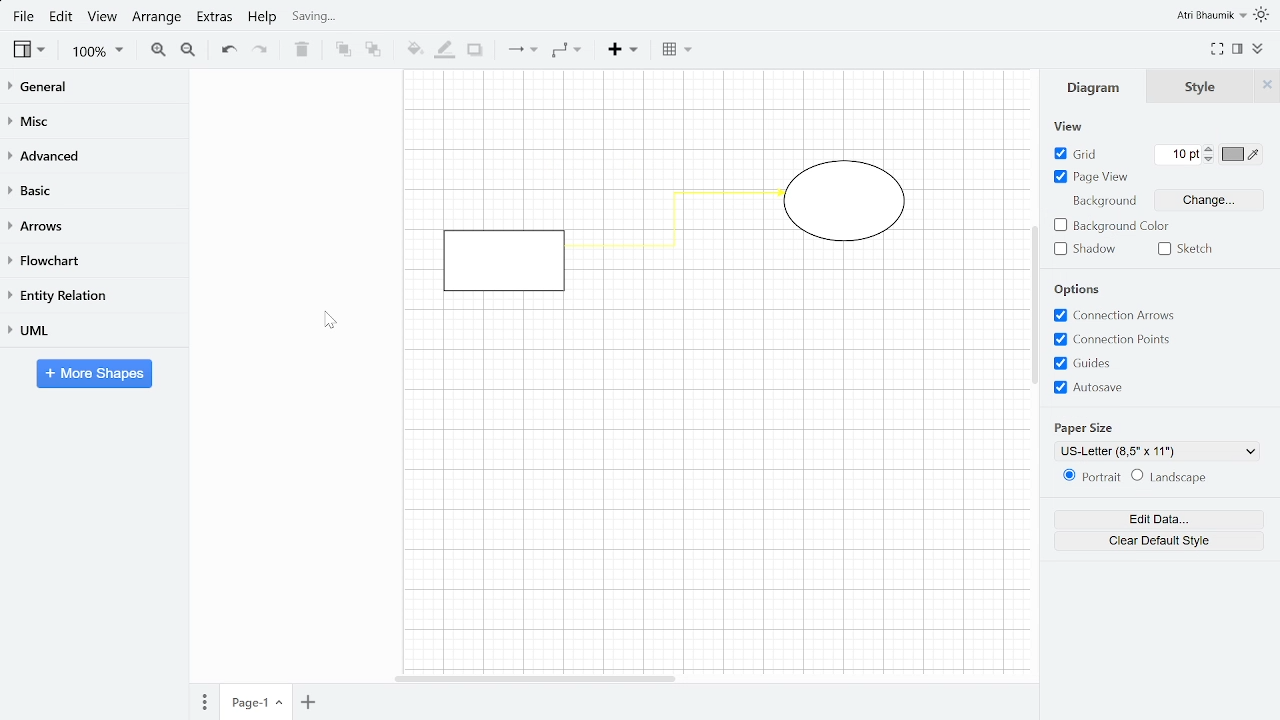 This screenshot has width=1280, height=720. What do you see at coordinates (414, 49) in the screenshot?
I see `Fill color` at bounding box center [414, 49].